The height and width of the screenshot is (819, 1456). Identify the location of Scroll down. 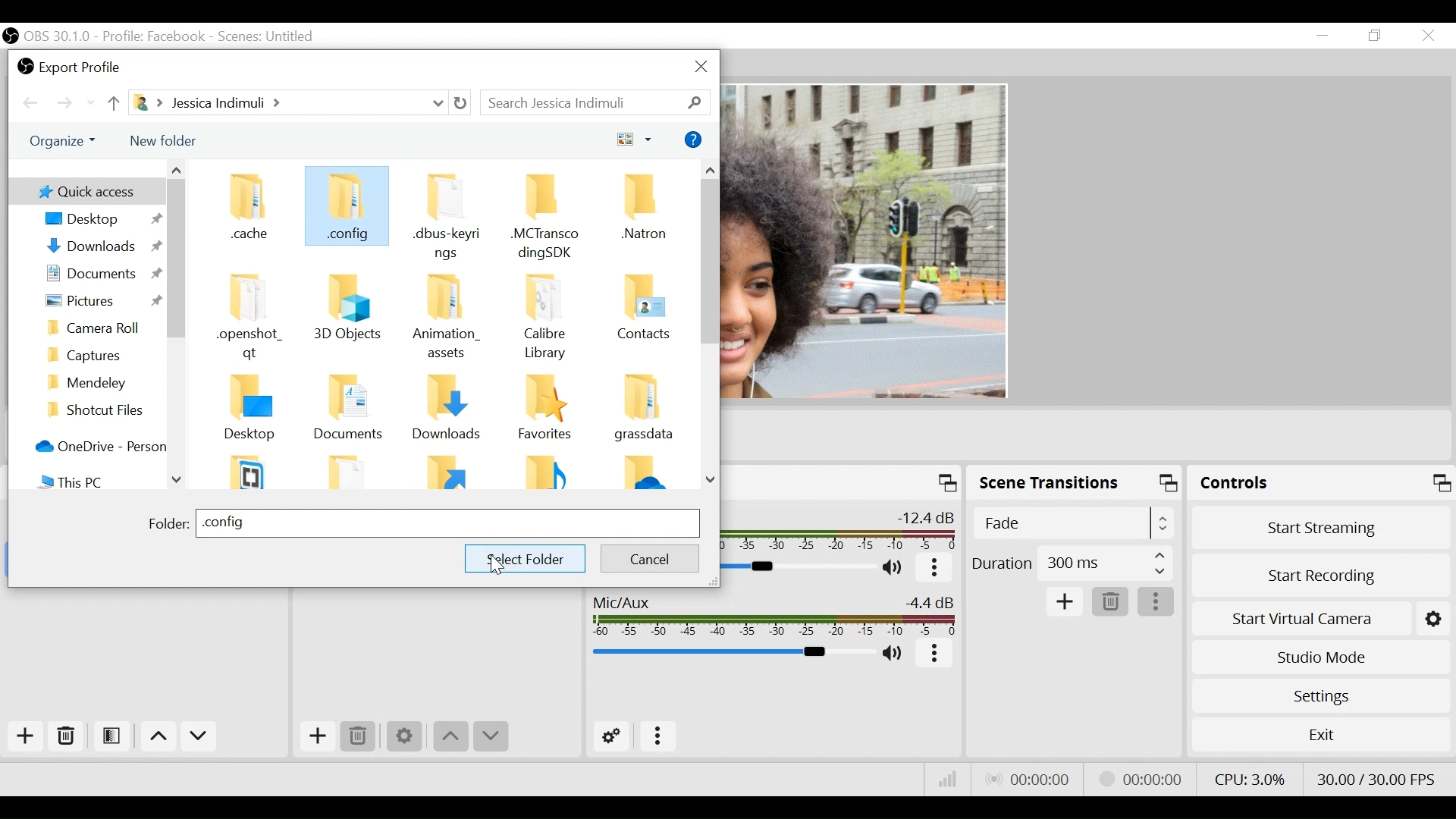
(178, 479).